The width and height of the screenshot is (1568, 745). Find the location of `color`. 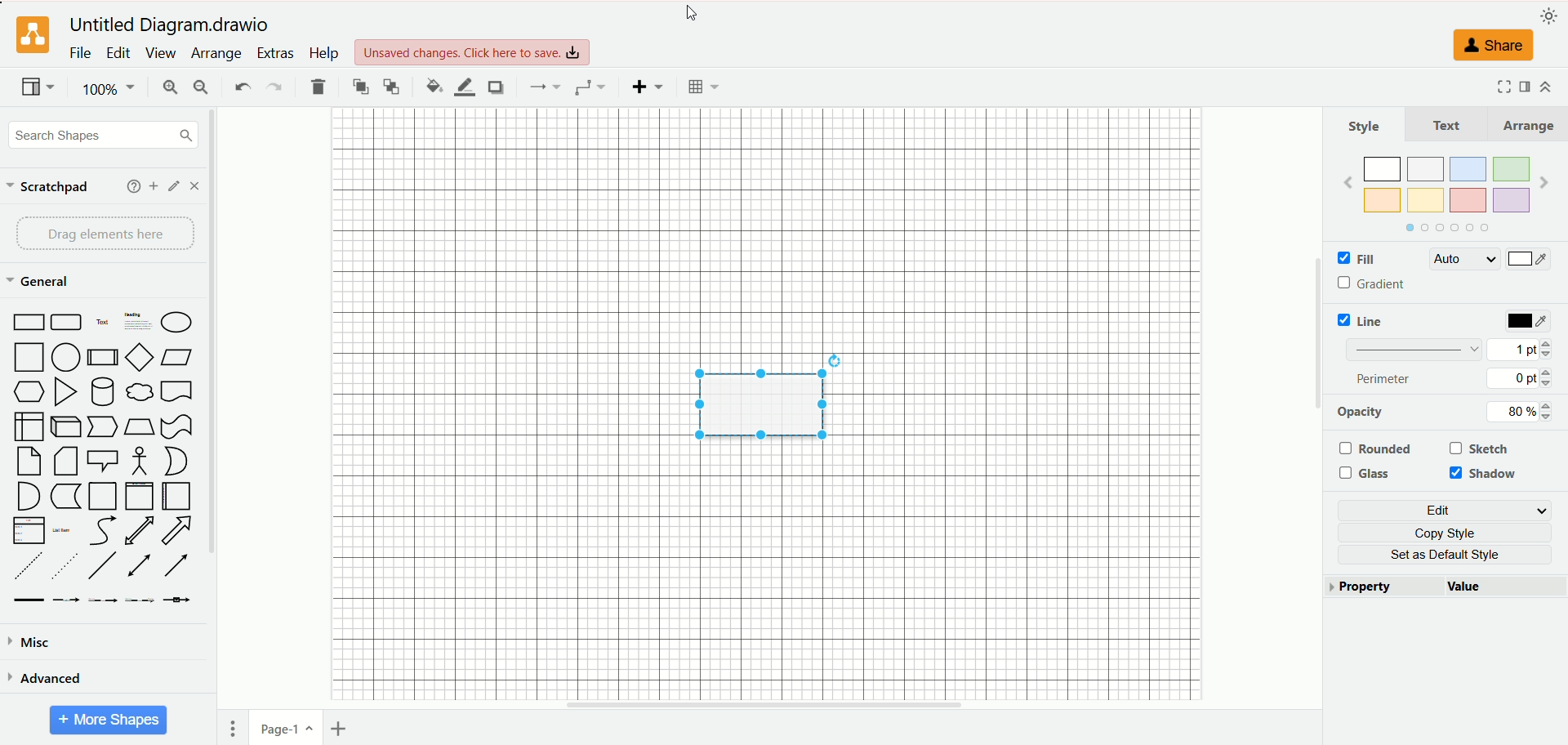

color is located at coordinates (1528, 261).